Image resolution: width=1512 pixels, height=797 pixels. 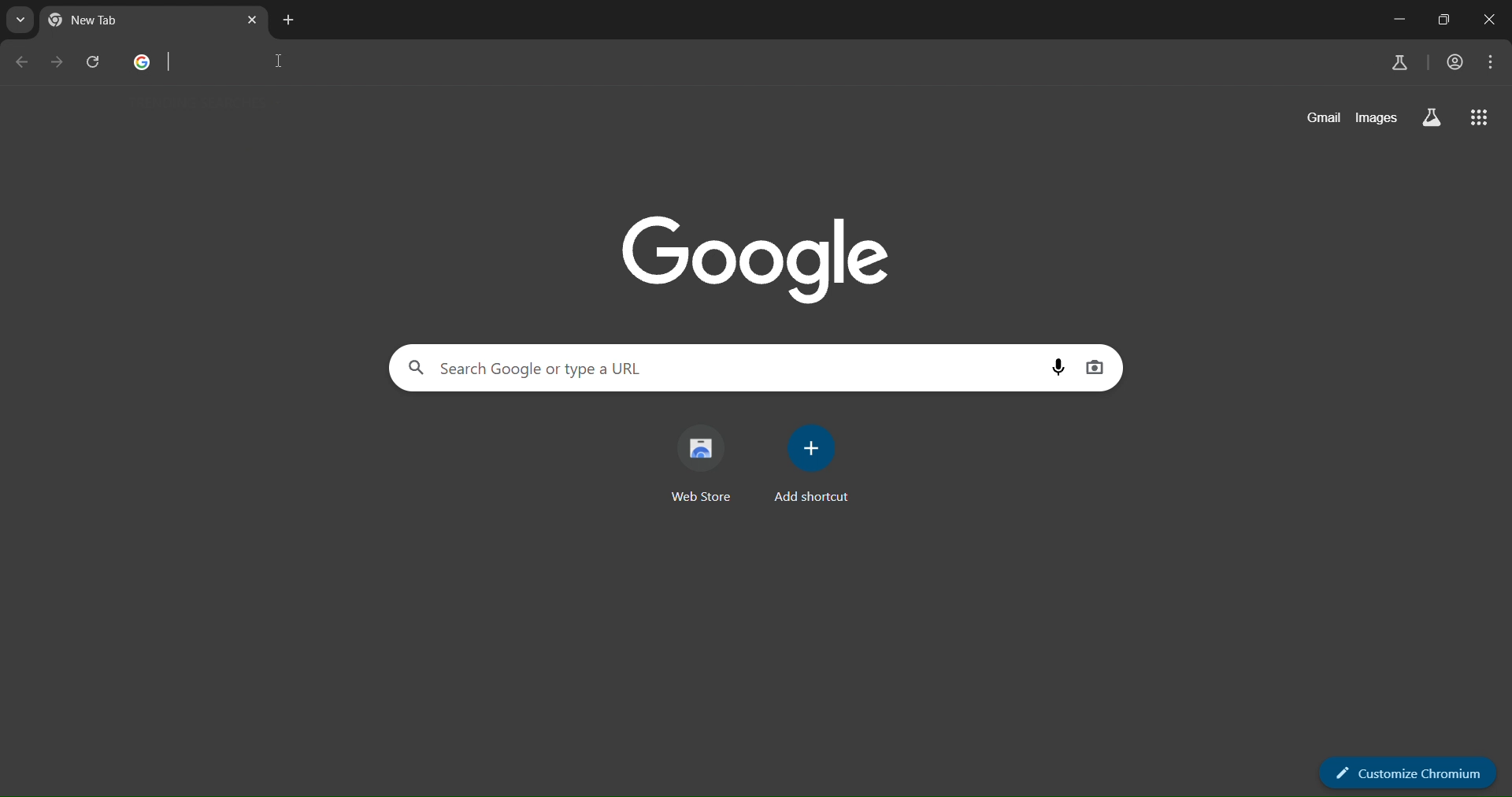 I want to click on search tabs, so click(x=22, y=20).